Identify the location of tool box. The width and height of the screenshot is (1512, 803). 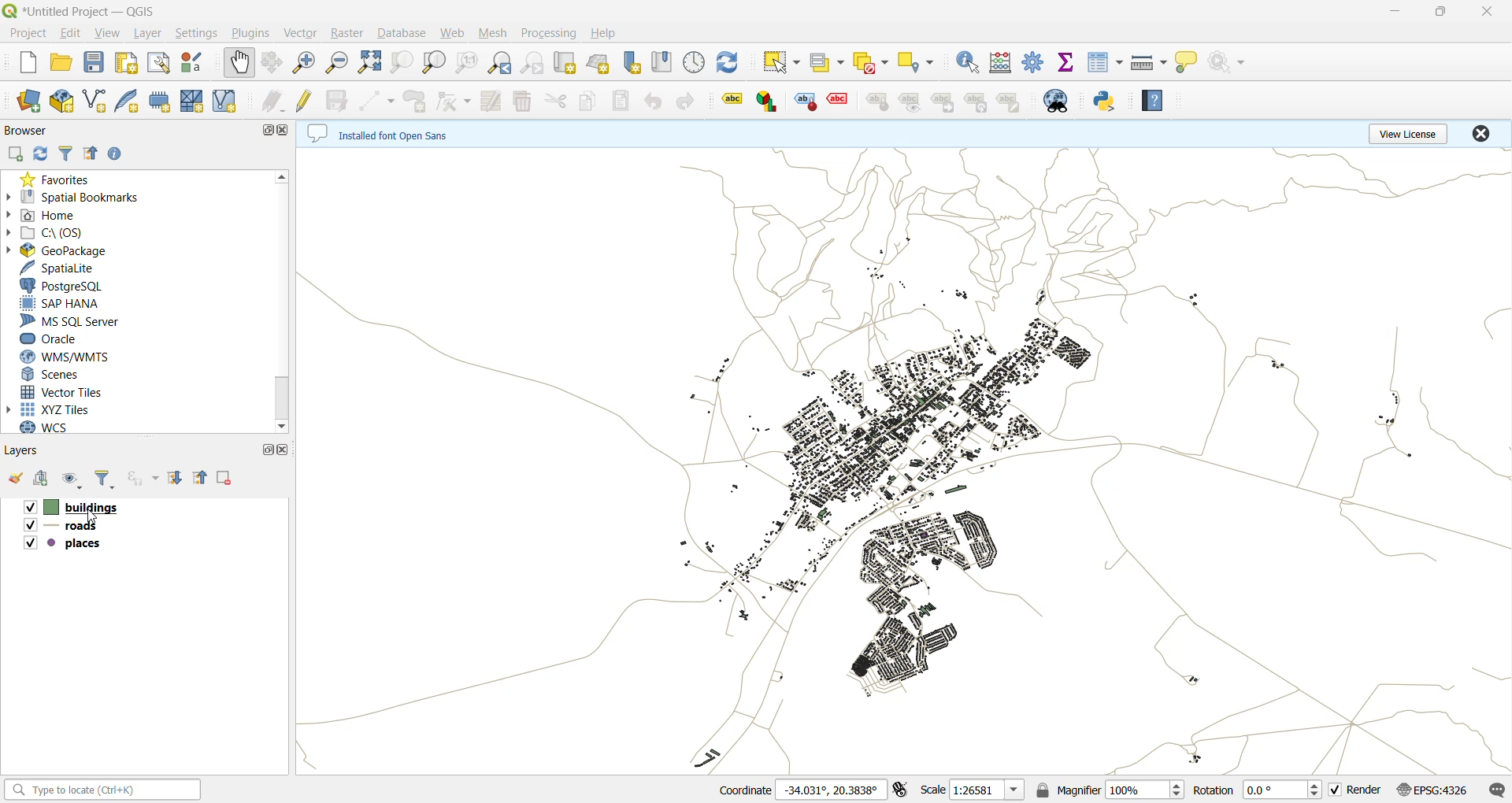
(1032, 61).